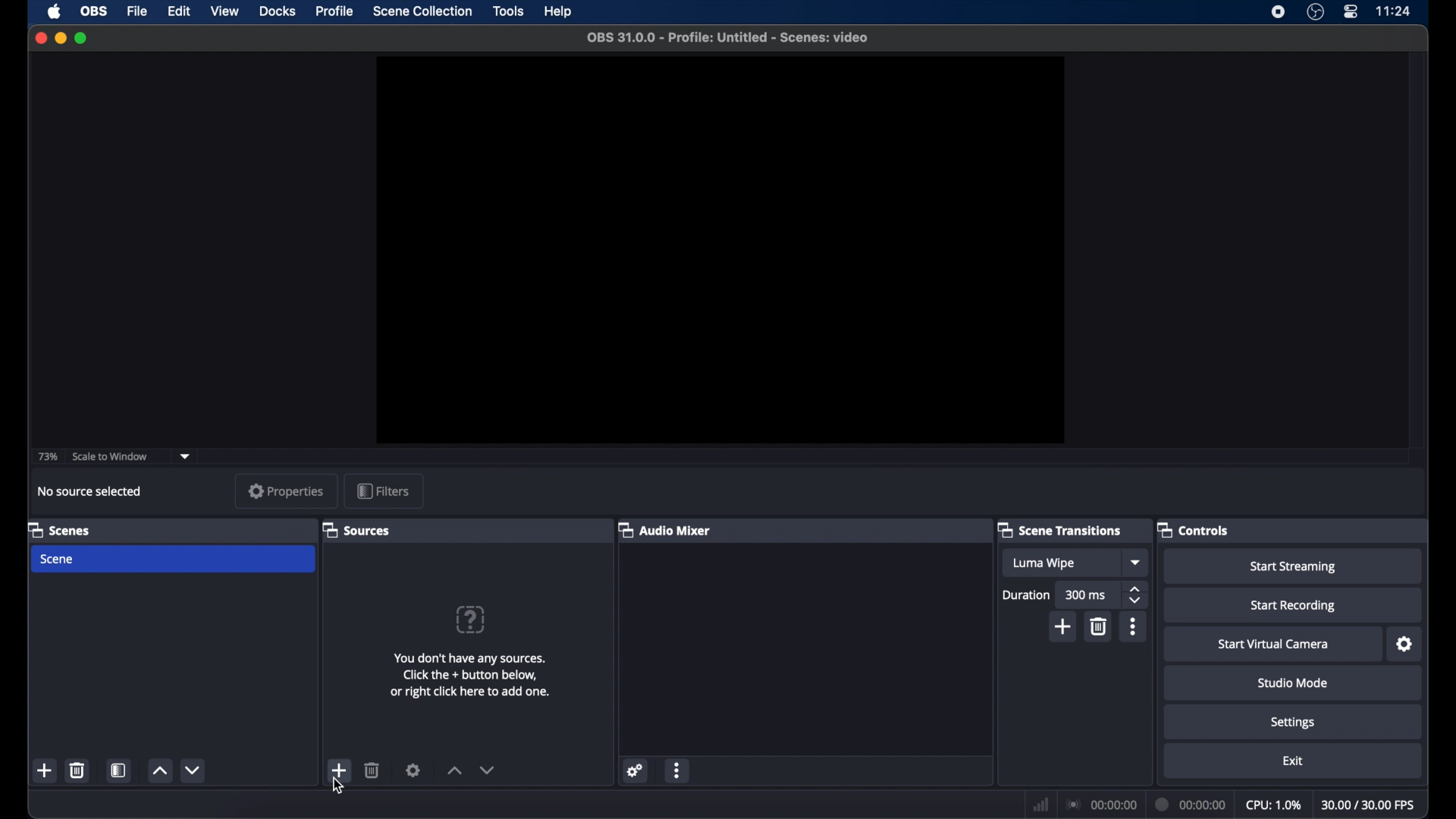 This screenshot has height=819, width=1456. Describe the element at coordinates (45, 770) in the screenshot. I see `add` at that location.